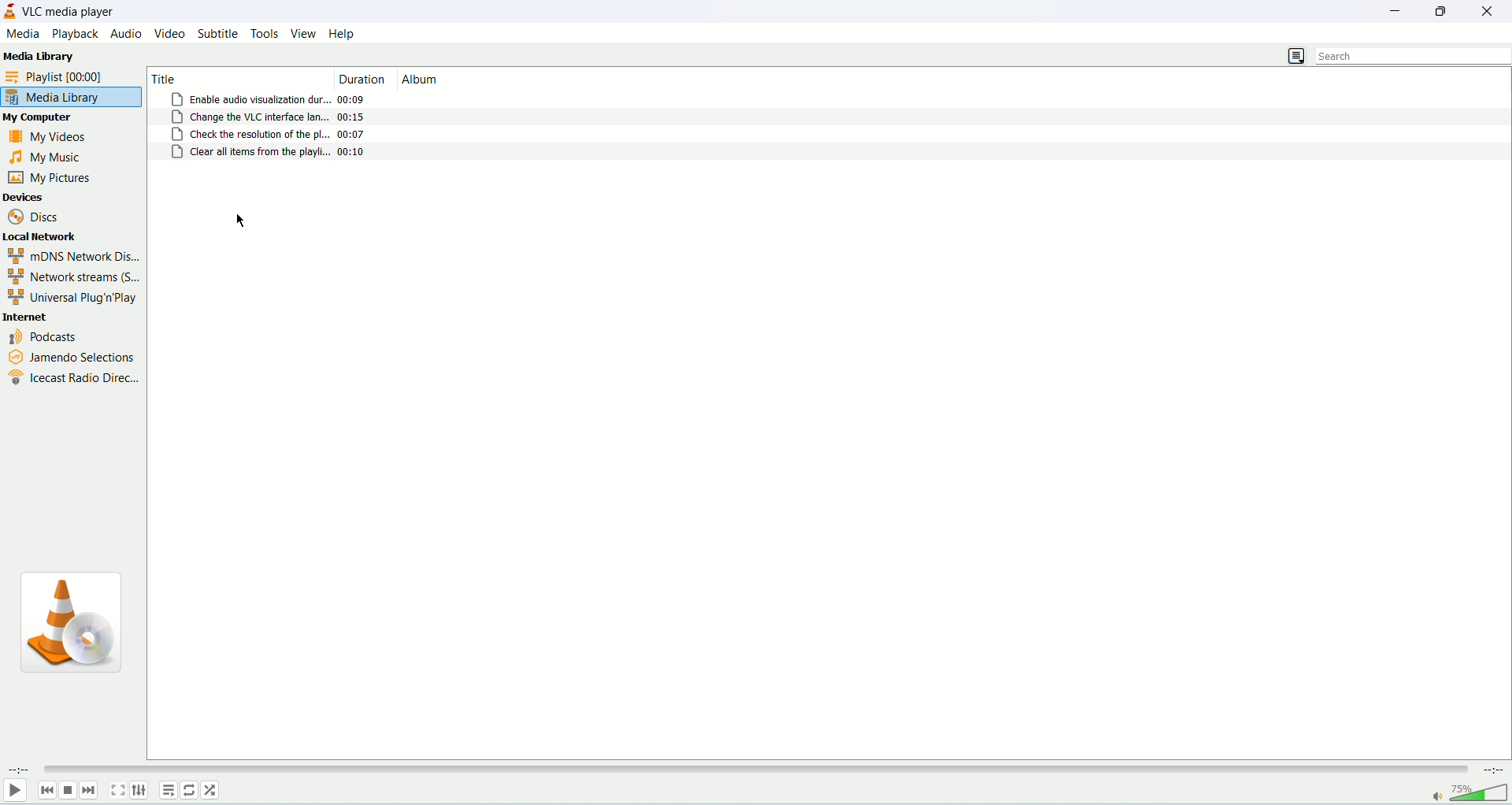  Describe the element at coordinates (1410, 56) in the screenshot. I see `search` at that location.